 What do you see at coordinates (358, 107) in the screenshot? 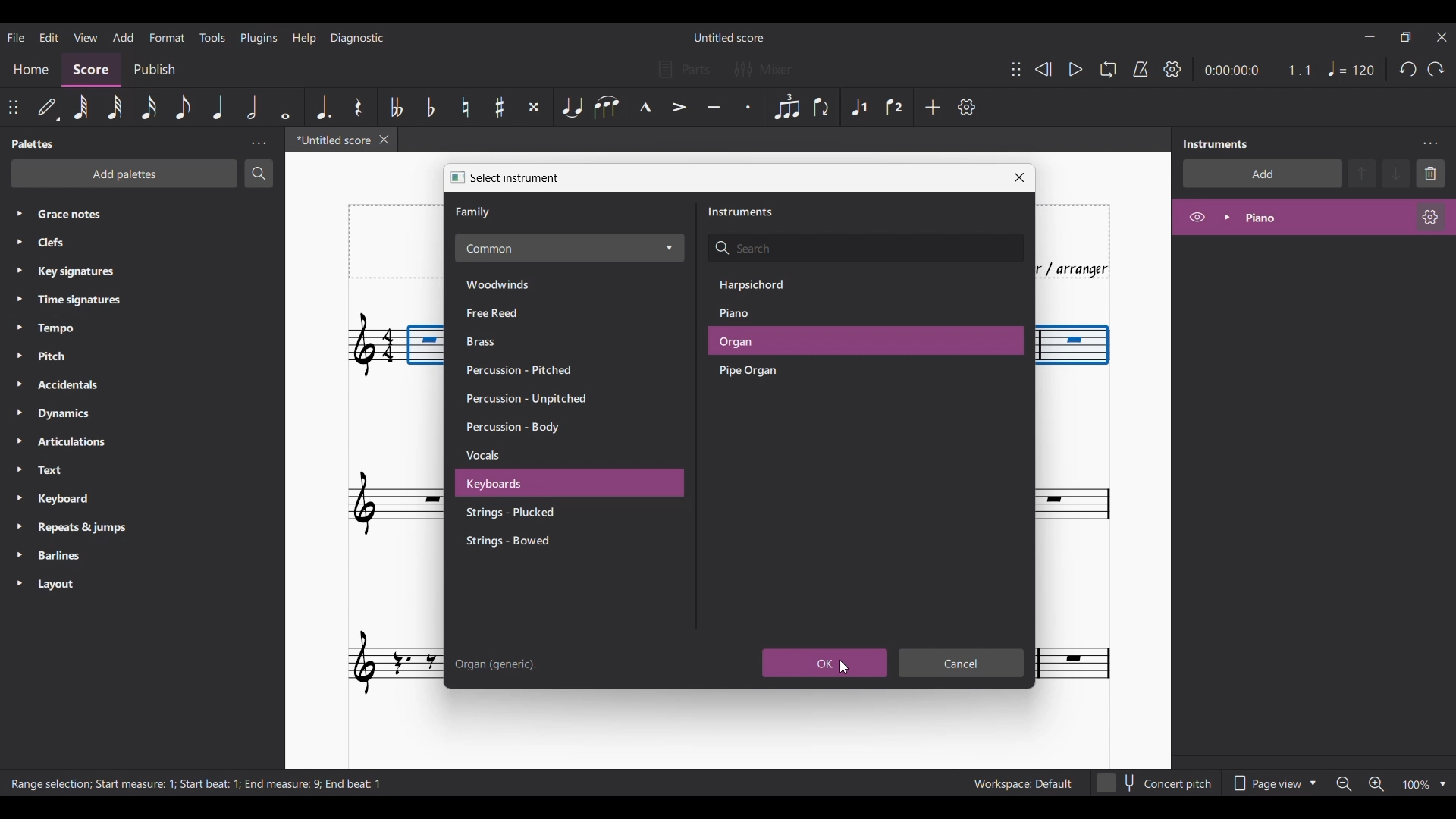
I see `Rest` at bounding box center [358, 107].